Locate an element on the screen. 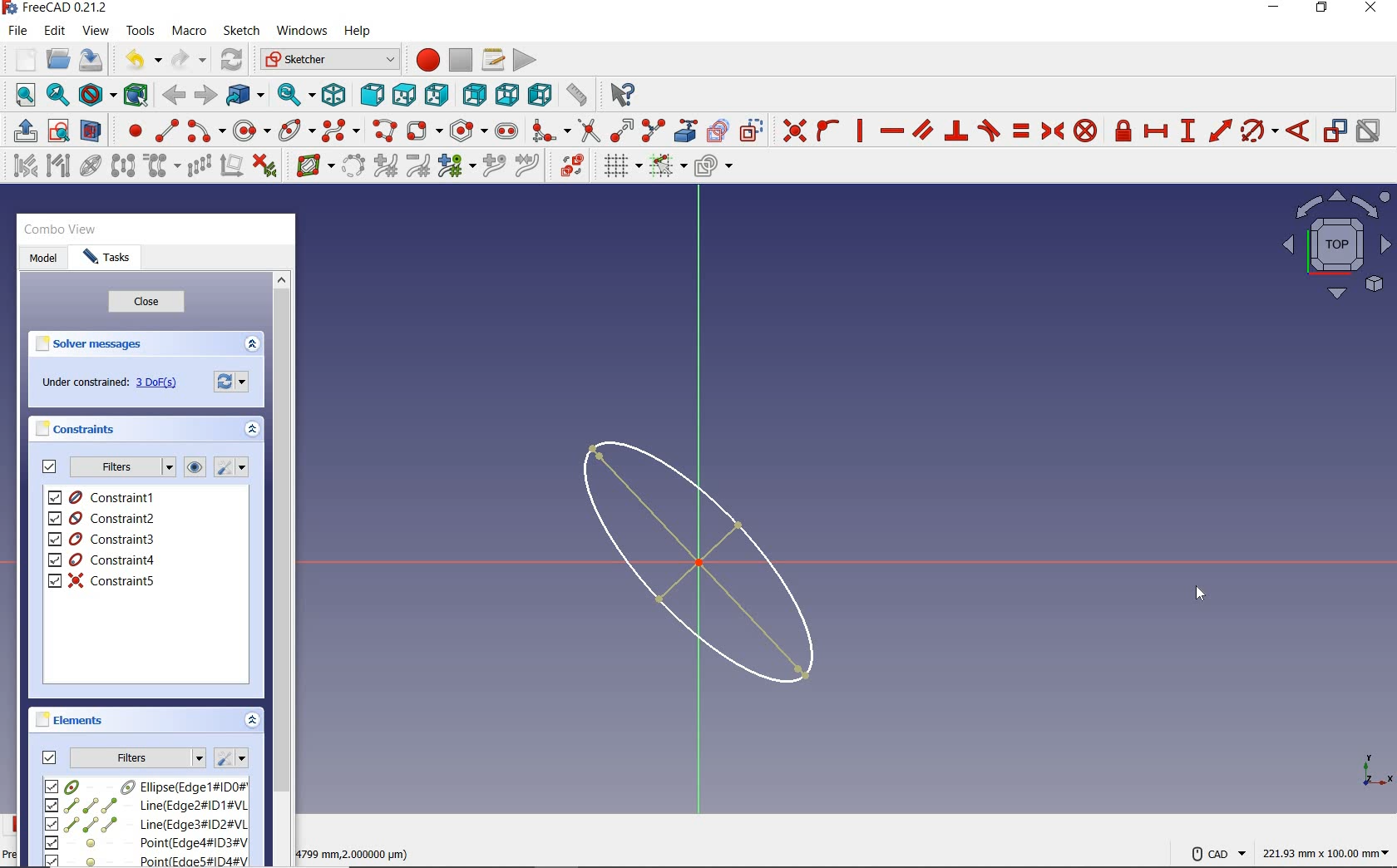  open is located at coordinates (58, 60).